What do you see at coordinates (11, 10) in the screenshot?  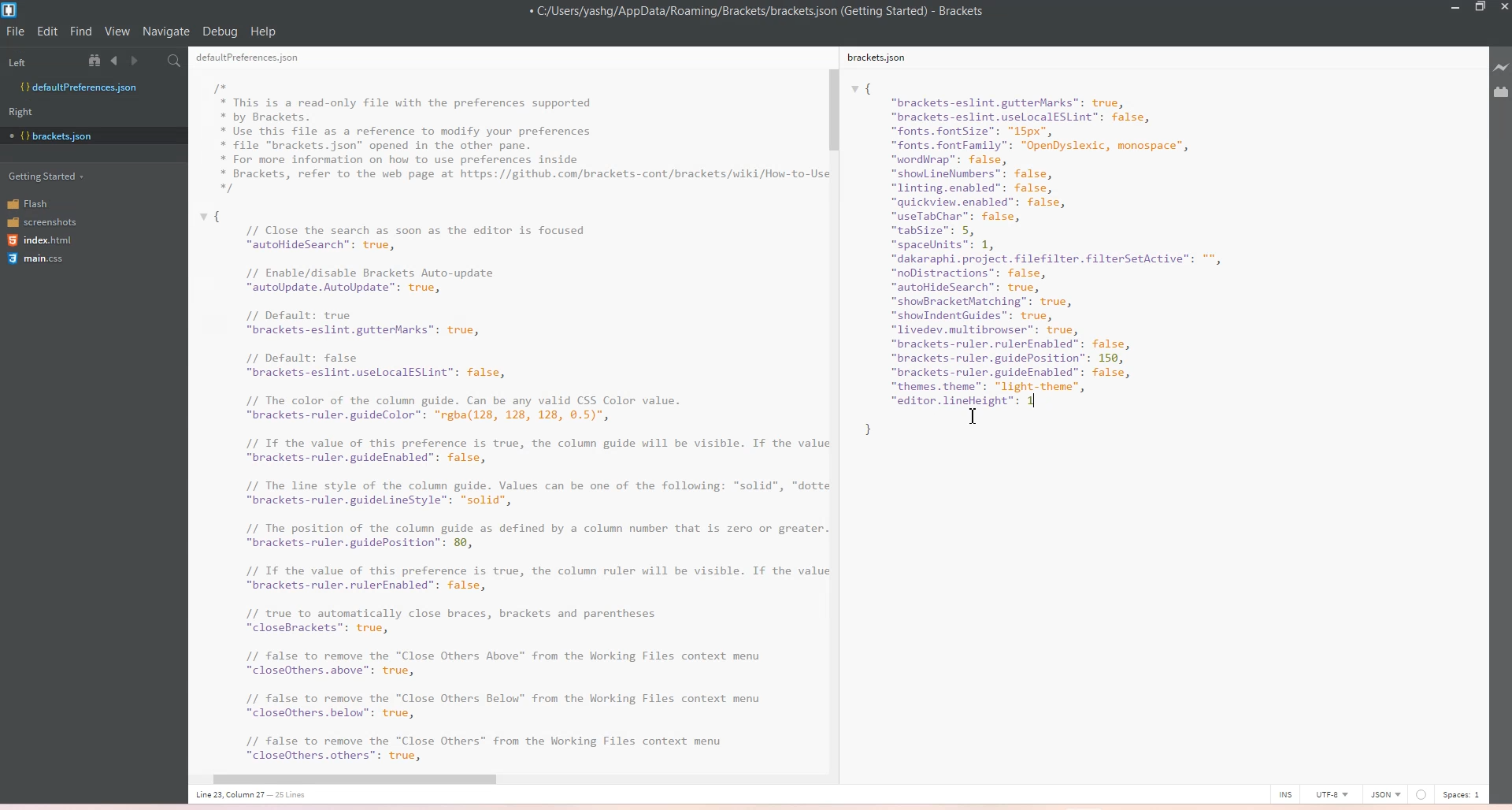 I see `Bracket log` at bounding box center [11, 10].